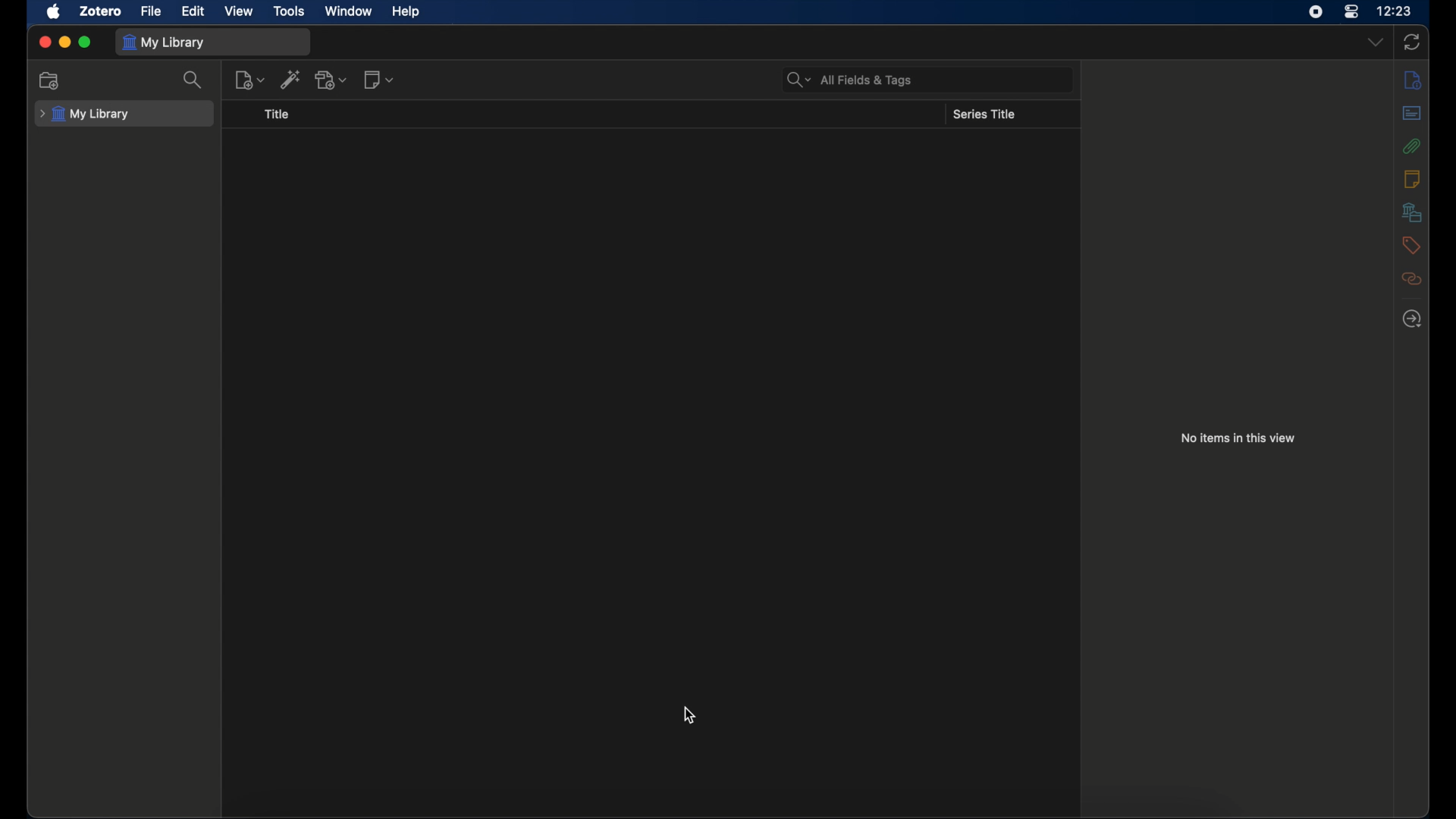  Describe the element at coordinates (291, 79) in the screenshot. I see `add item by identifier` at that location.